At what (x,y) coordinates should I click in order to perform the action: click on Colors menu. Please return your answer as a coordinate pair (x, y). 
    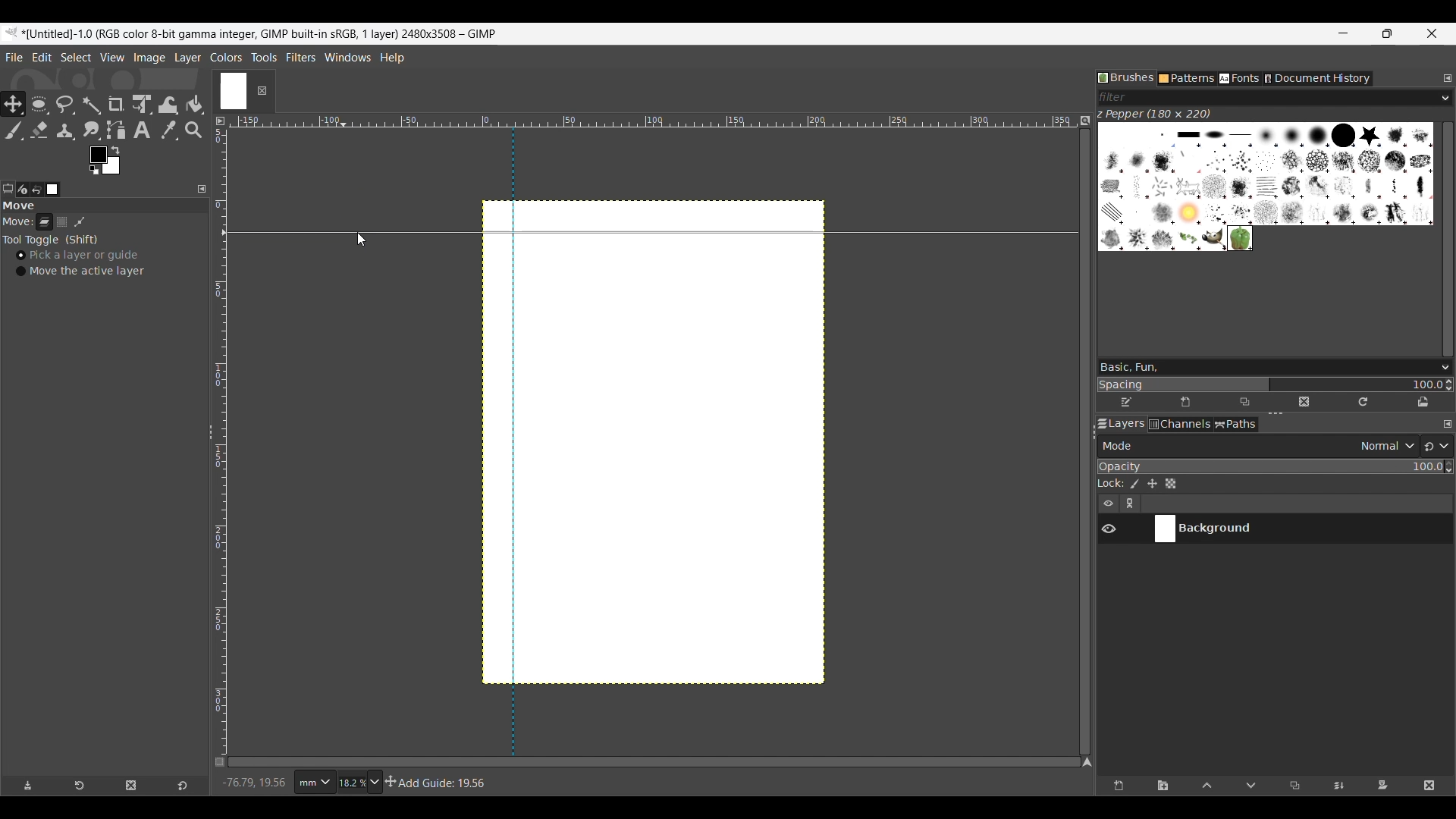
    Looking at the image, I should click on (226, 57).